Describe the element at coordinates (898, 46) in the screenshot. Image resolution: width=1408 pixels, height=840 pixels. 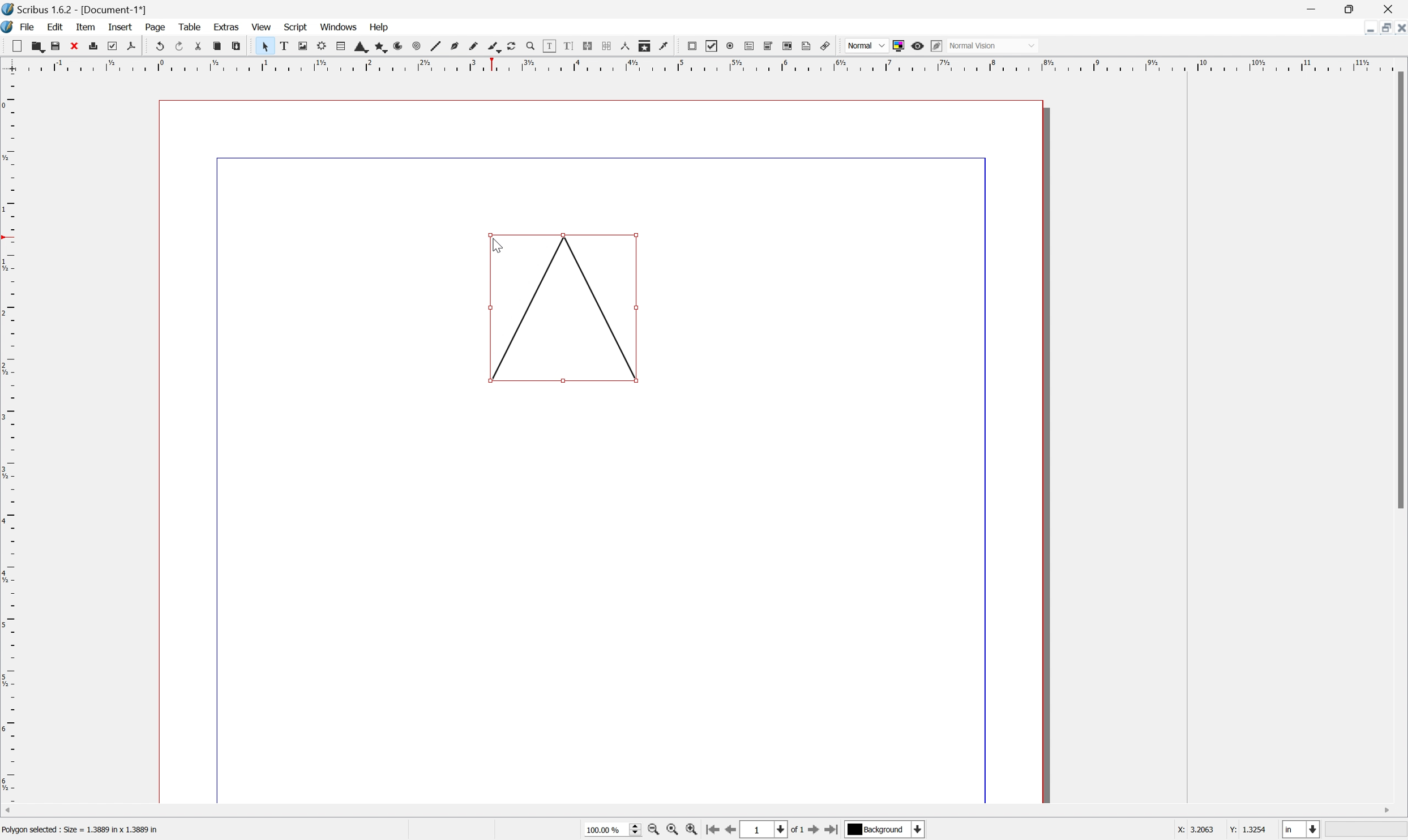
I see `Toggle color management system` at that location.